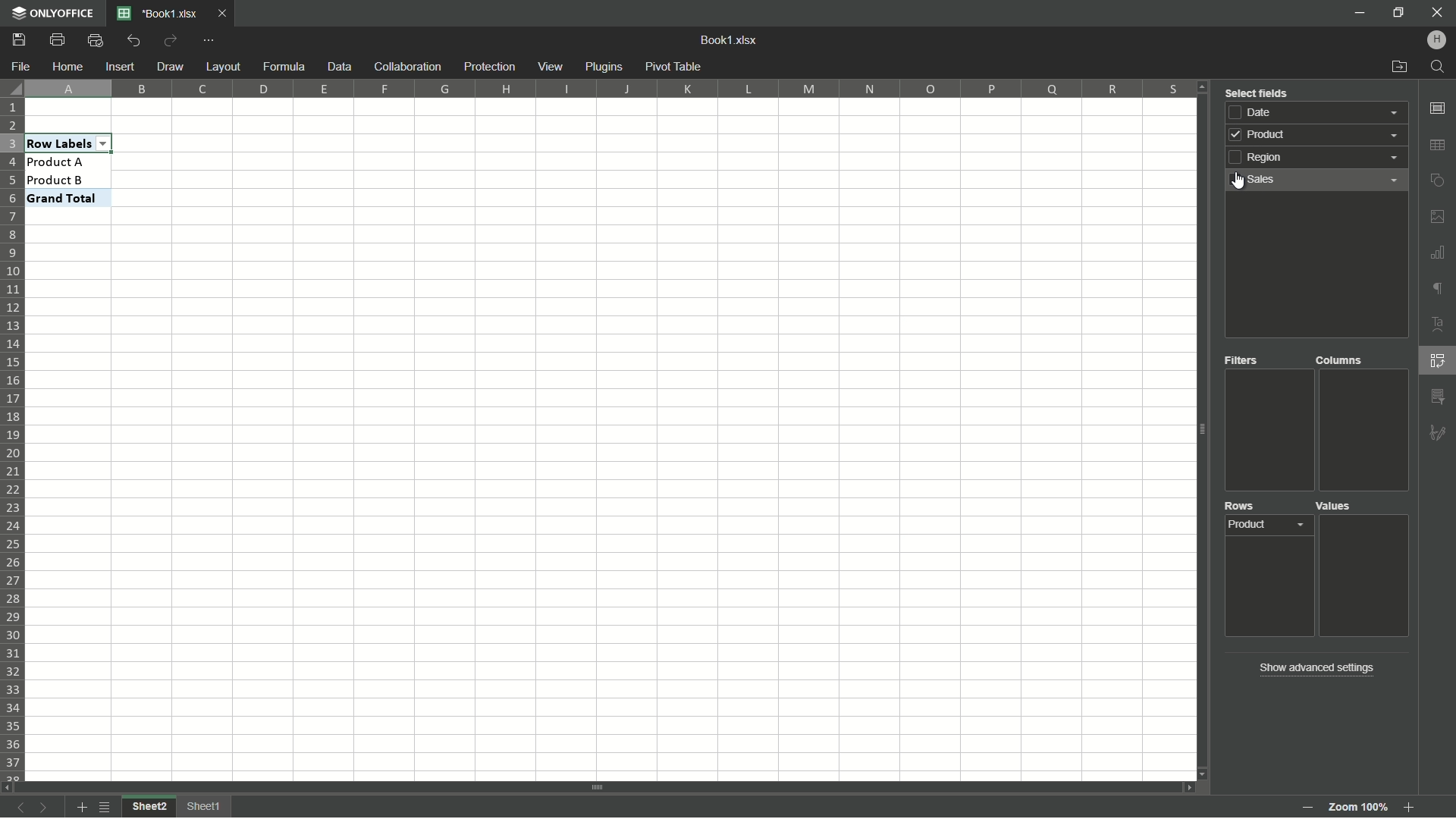 This screenshot has width=1456, height=819. I want to click on scroll down, so click(1200, 774).